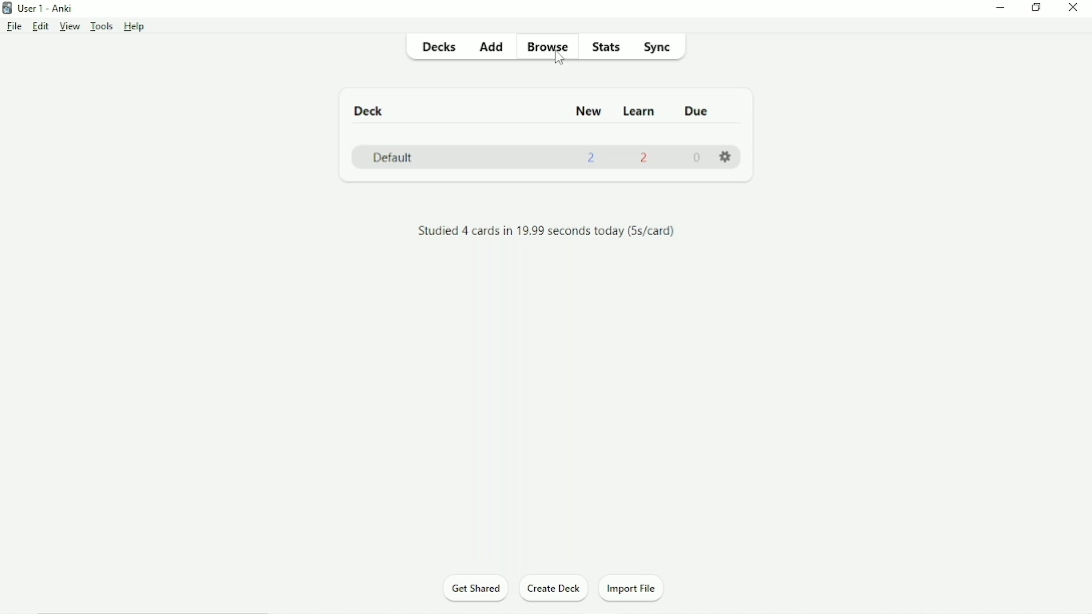 The height and width of the screenshot is (614, 1092). What do you see at coordinates (1074, 8) in the screenshot?
I see `Close` at bounding box center [1074, 8].